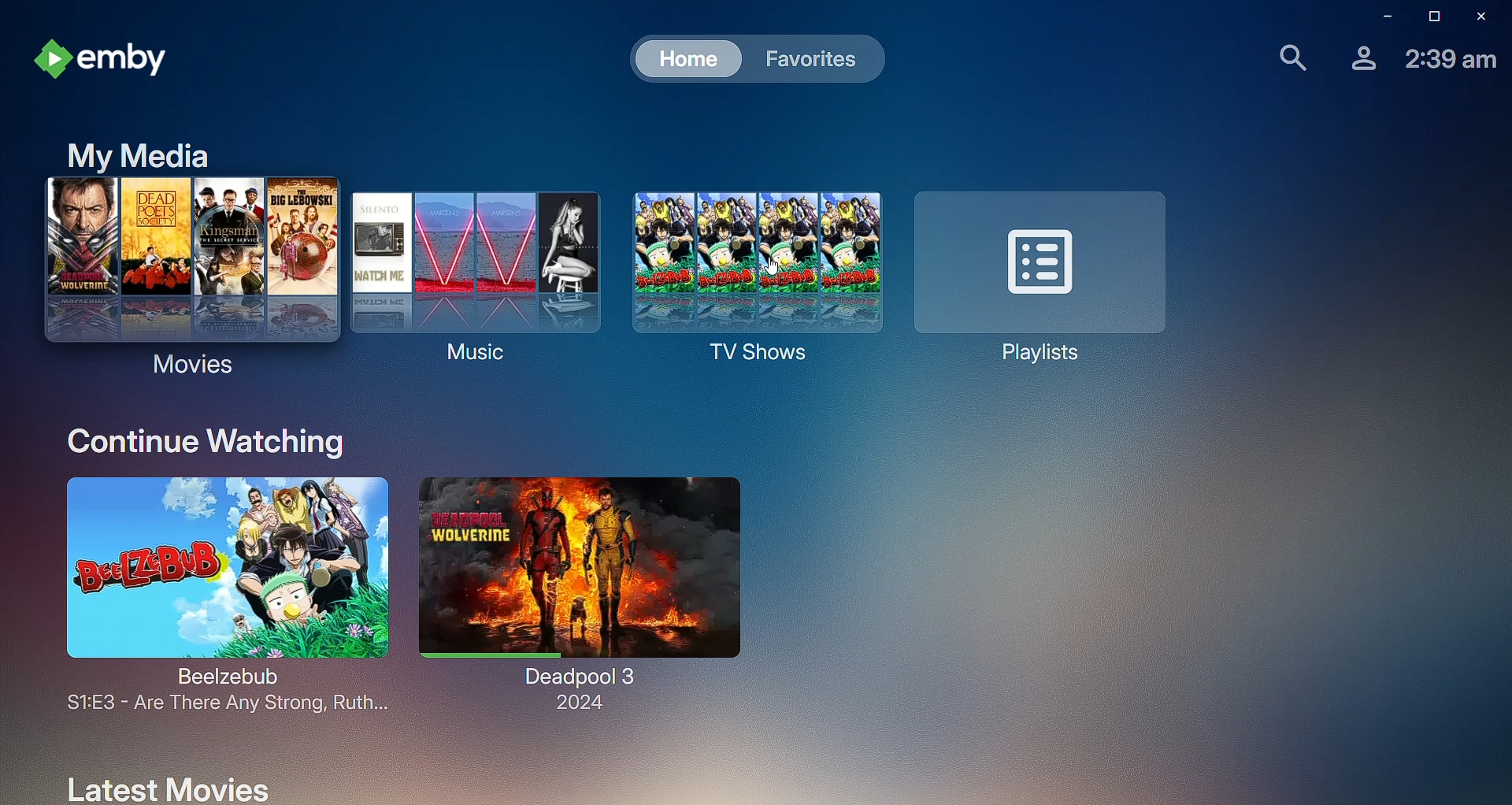  What do you see at coordinates (161, 785) in the screenshot?
I see `Latest Movies` at bounding box center [161, 785].